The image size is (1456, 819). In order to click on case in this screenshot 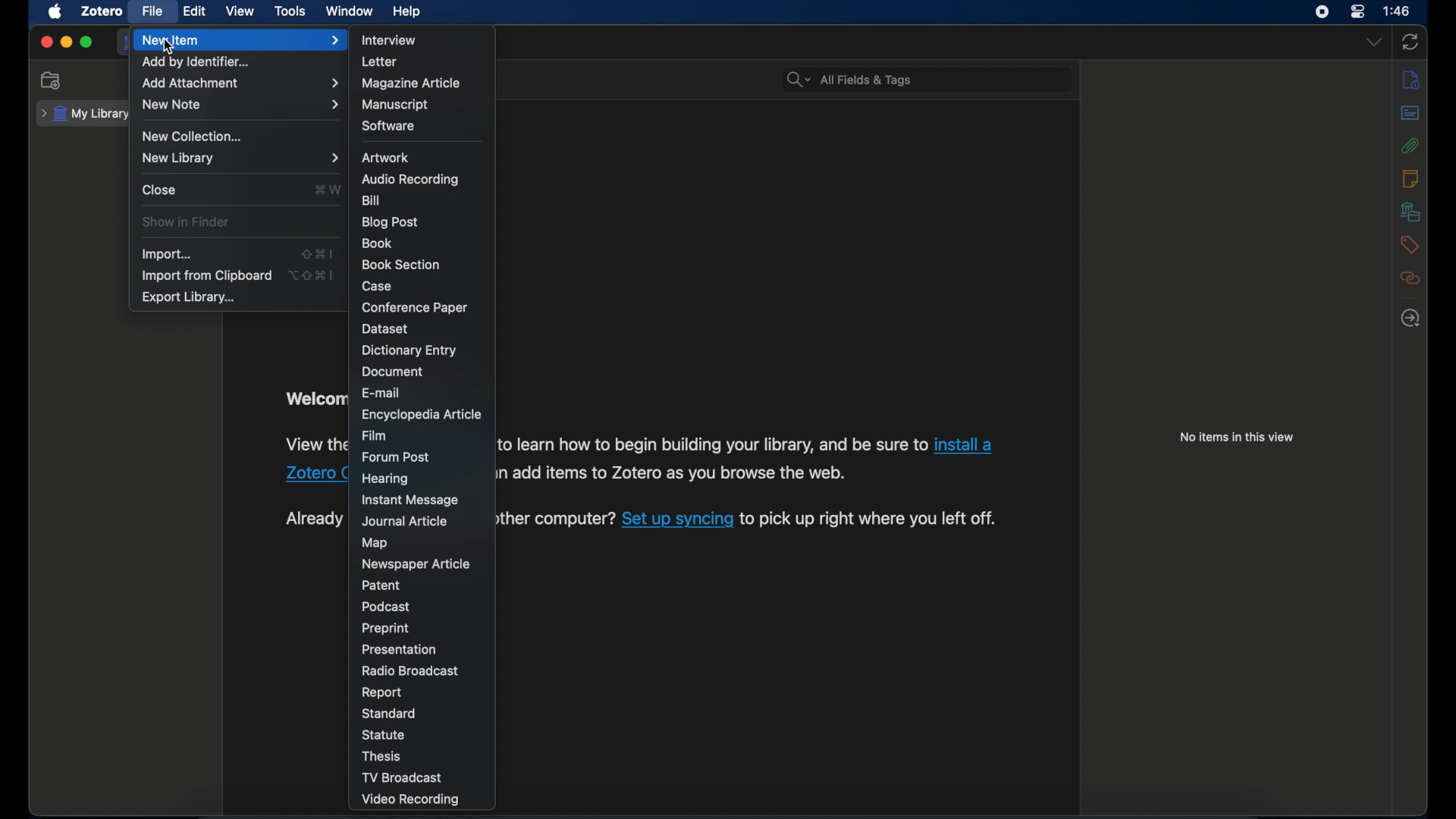, I will do `click(378, 286)`.